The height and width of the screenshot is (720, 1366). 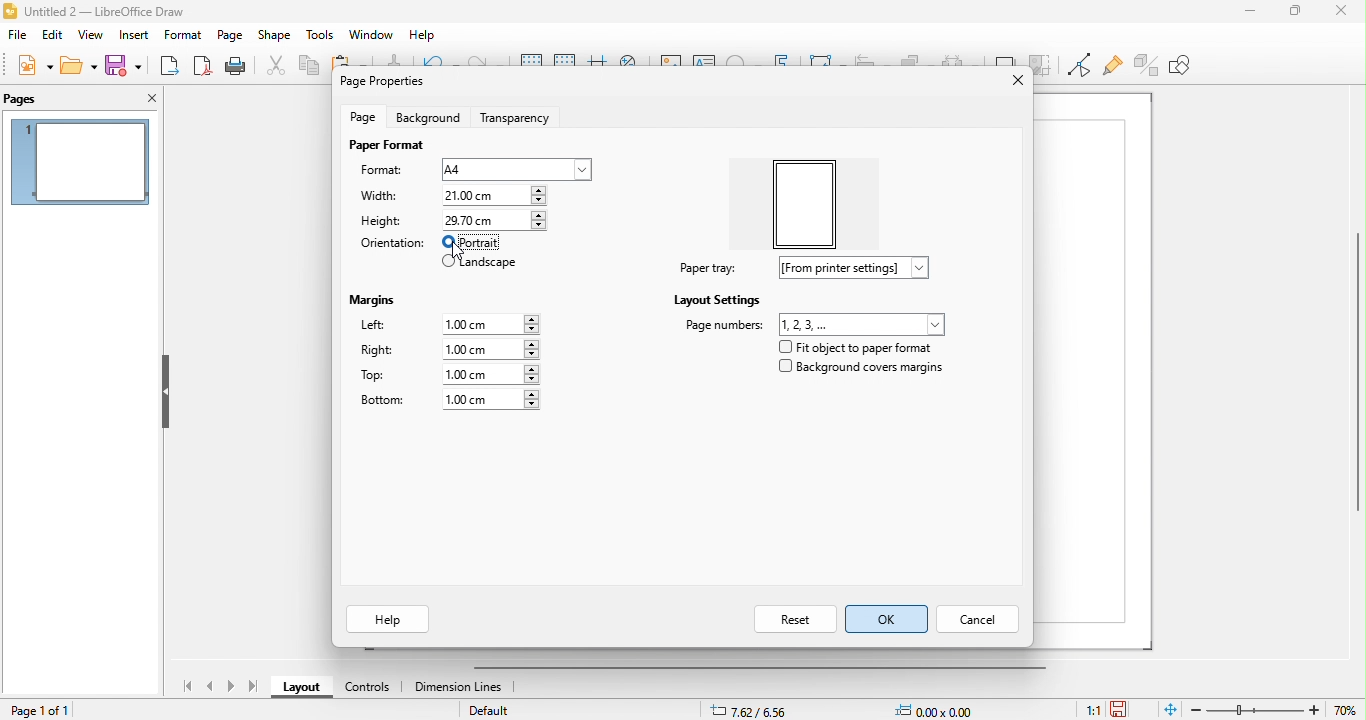 I want to click on last page, so click(x=253, y=687).